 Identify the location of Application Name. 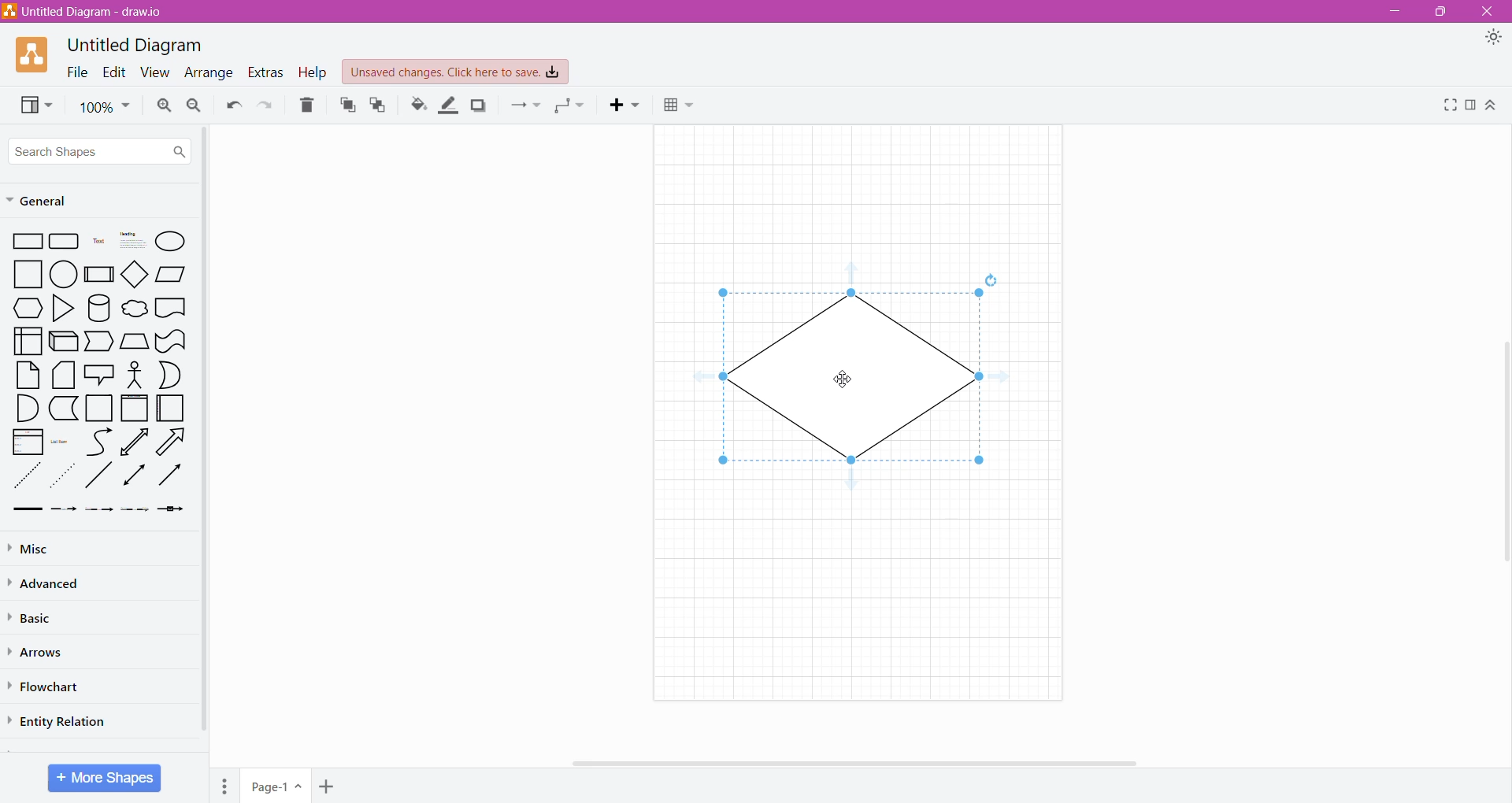
(85, 13).